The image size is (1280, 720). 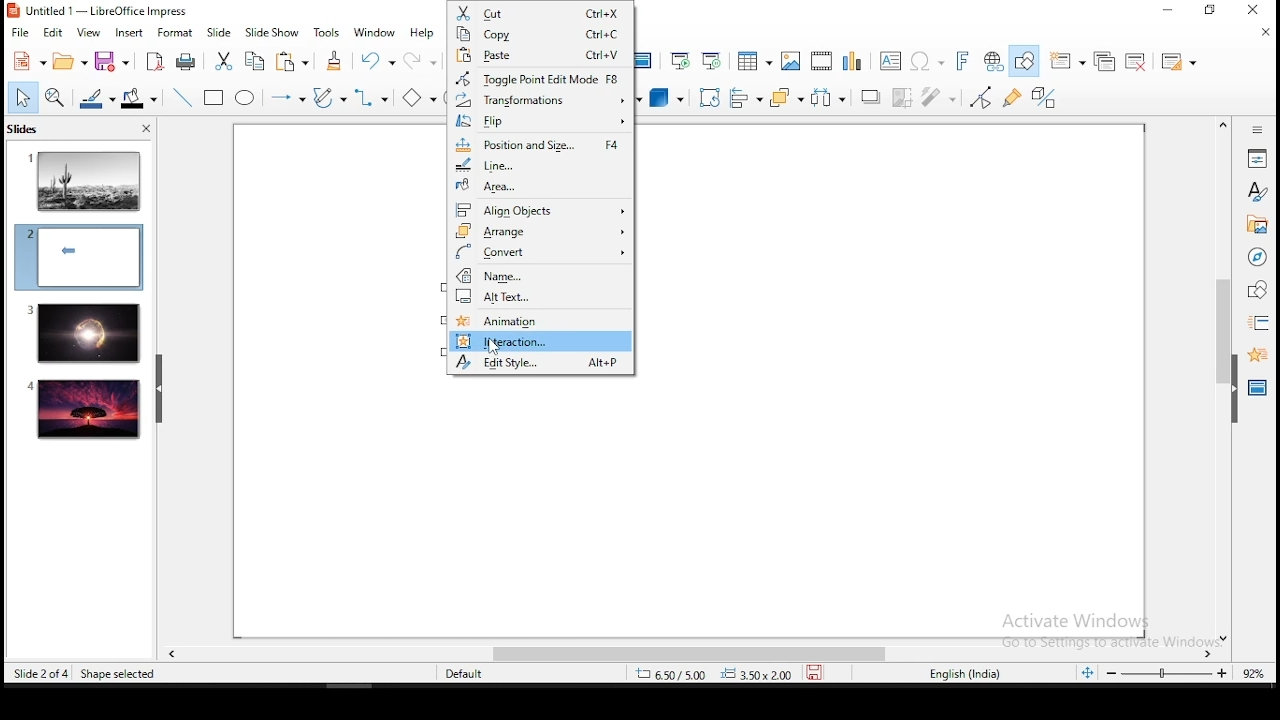 I want to click on new slide, so click(x=1069, y=60).